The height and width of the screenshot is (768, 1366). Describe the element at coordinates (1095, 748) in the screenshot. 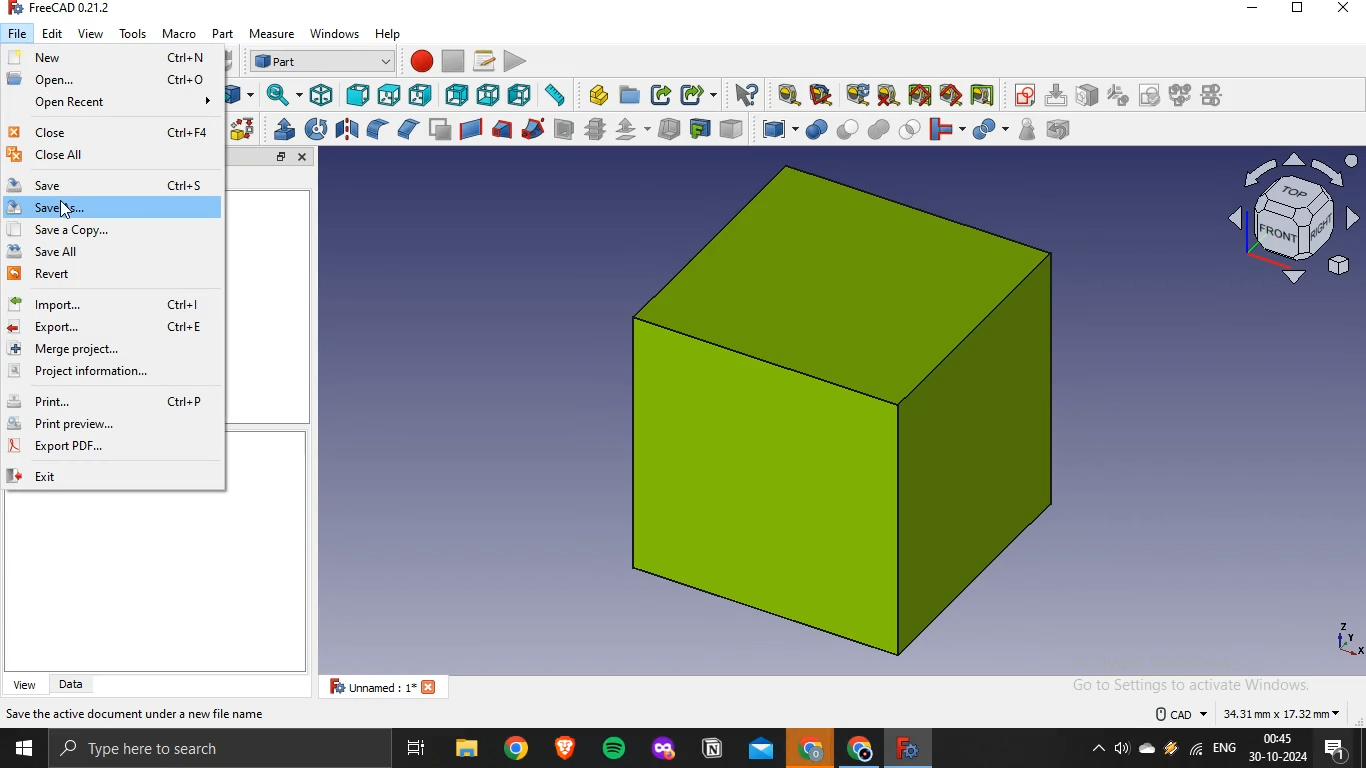

I see `show hidden icons ` at that location.